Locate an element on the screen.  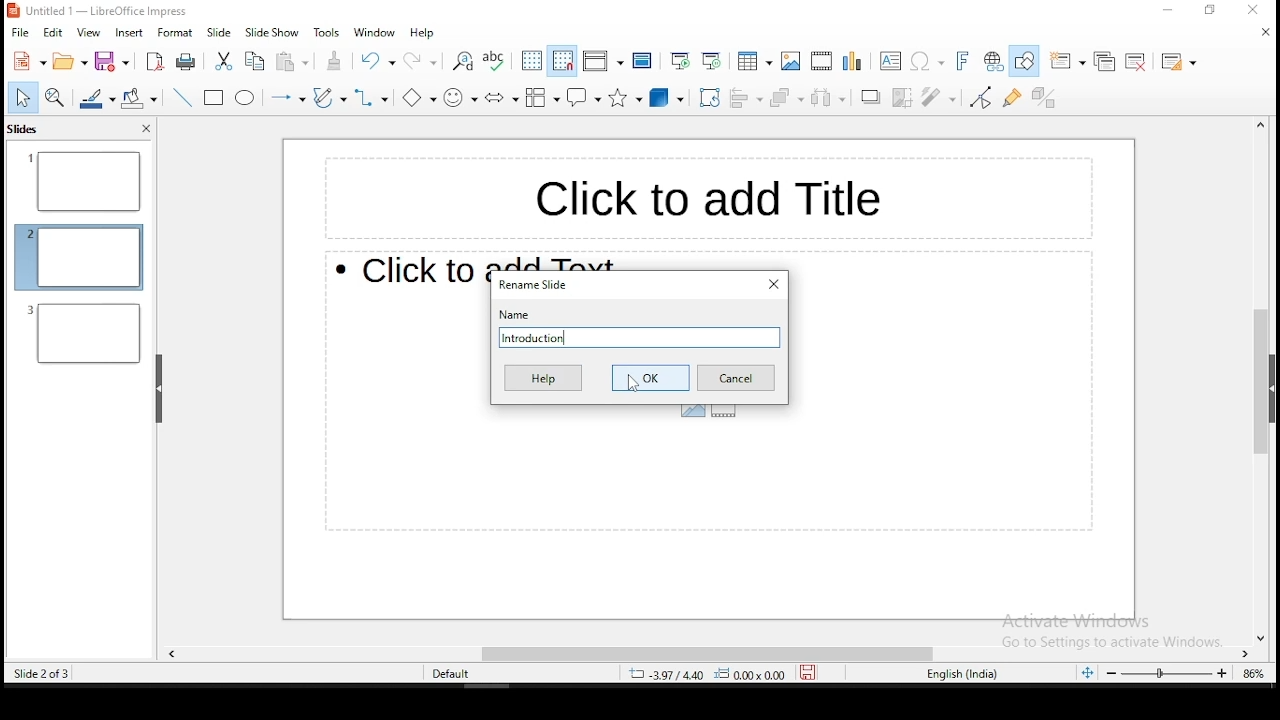
help is located at coordinates (541, 378).